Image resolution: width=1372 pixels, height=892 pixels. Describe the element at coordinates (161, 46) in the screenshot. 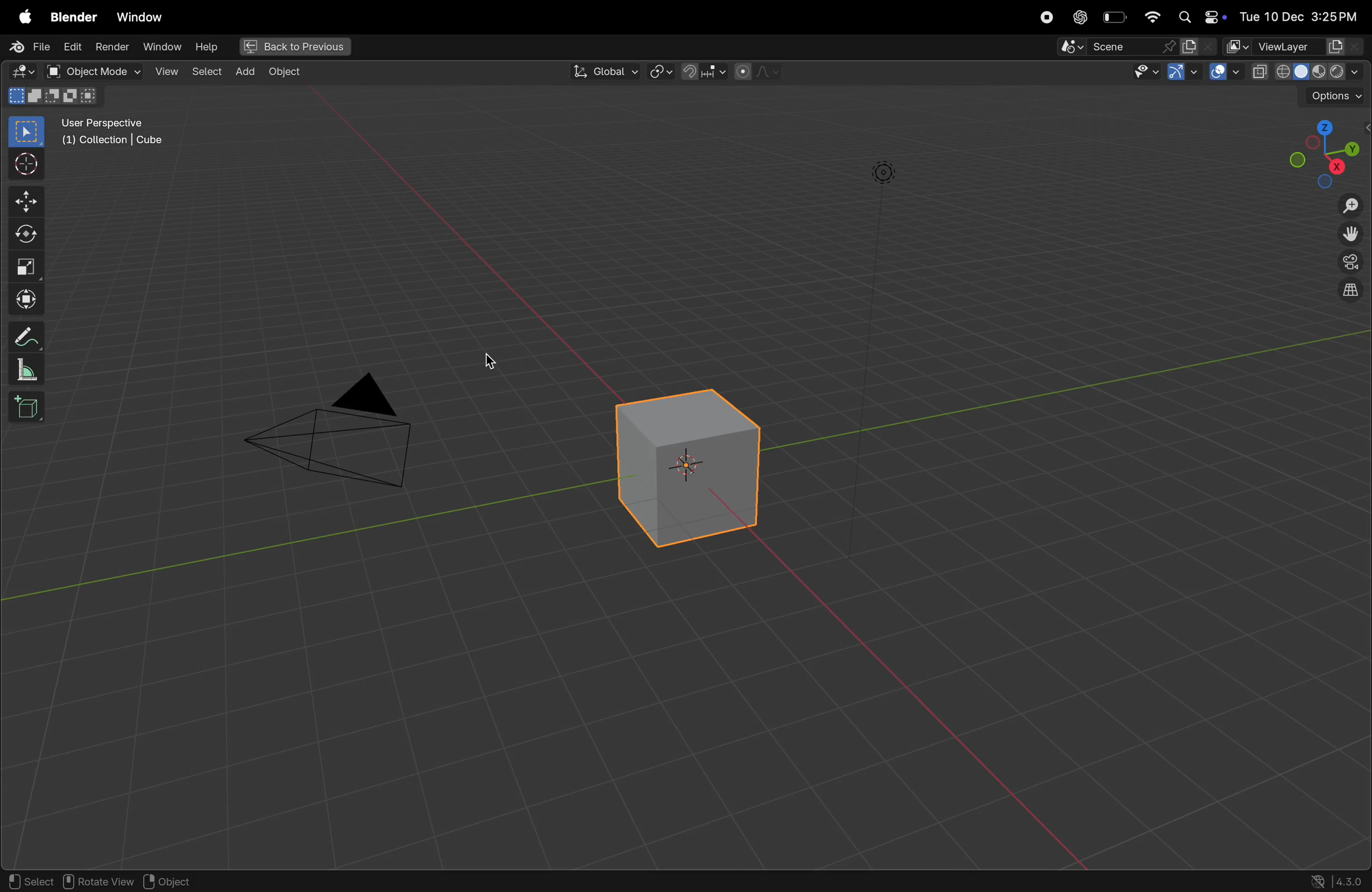

I see `Window` at that location.